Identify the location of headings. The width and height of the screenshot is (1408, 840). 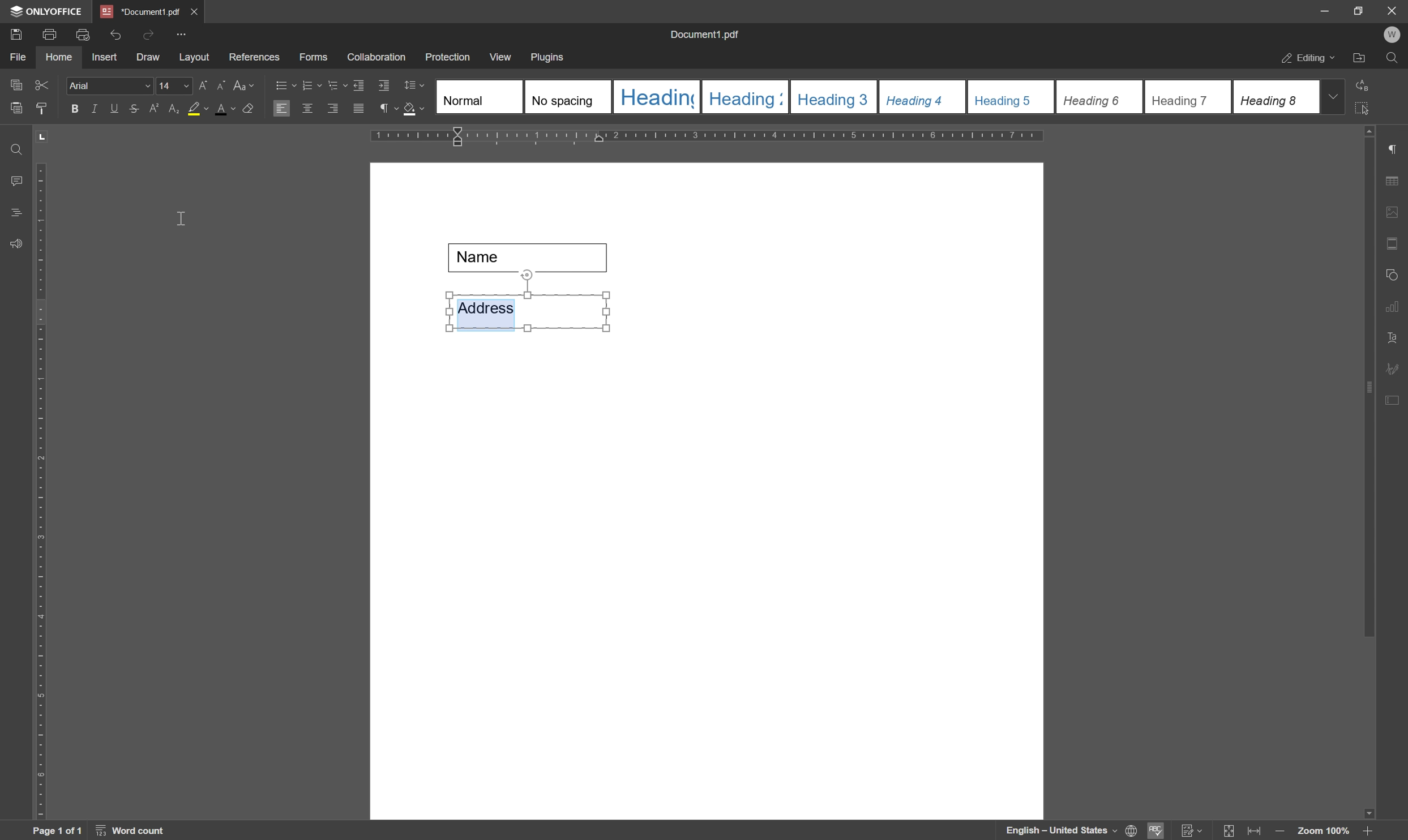
(12, 213).